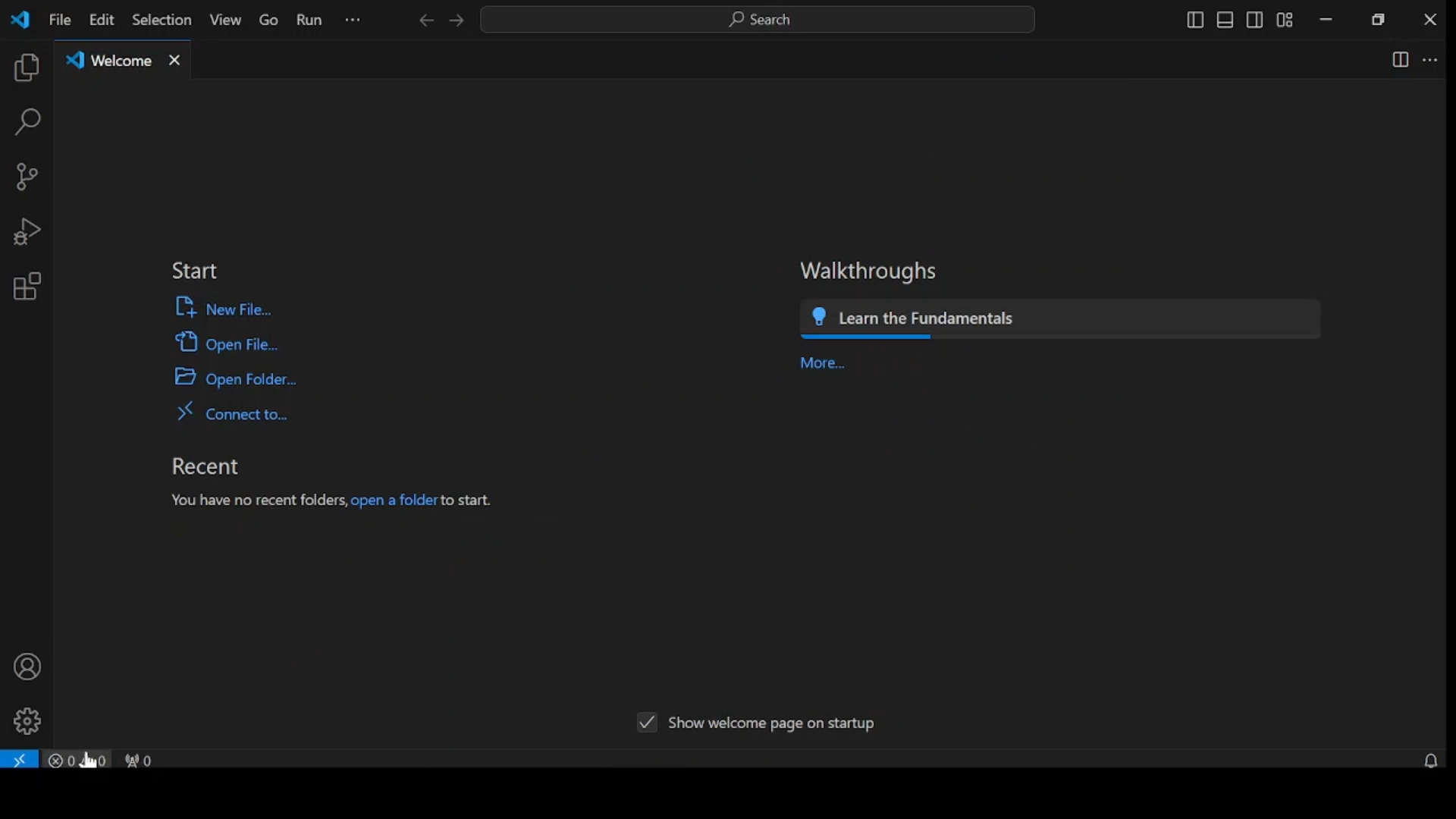 This screenshot has width=1456, height=819. What do you see at coordinates (125, 56) in the screenshot?
I see `welcome` at bounding box center [125, 56].